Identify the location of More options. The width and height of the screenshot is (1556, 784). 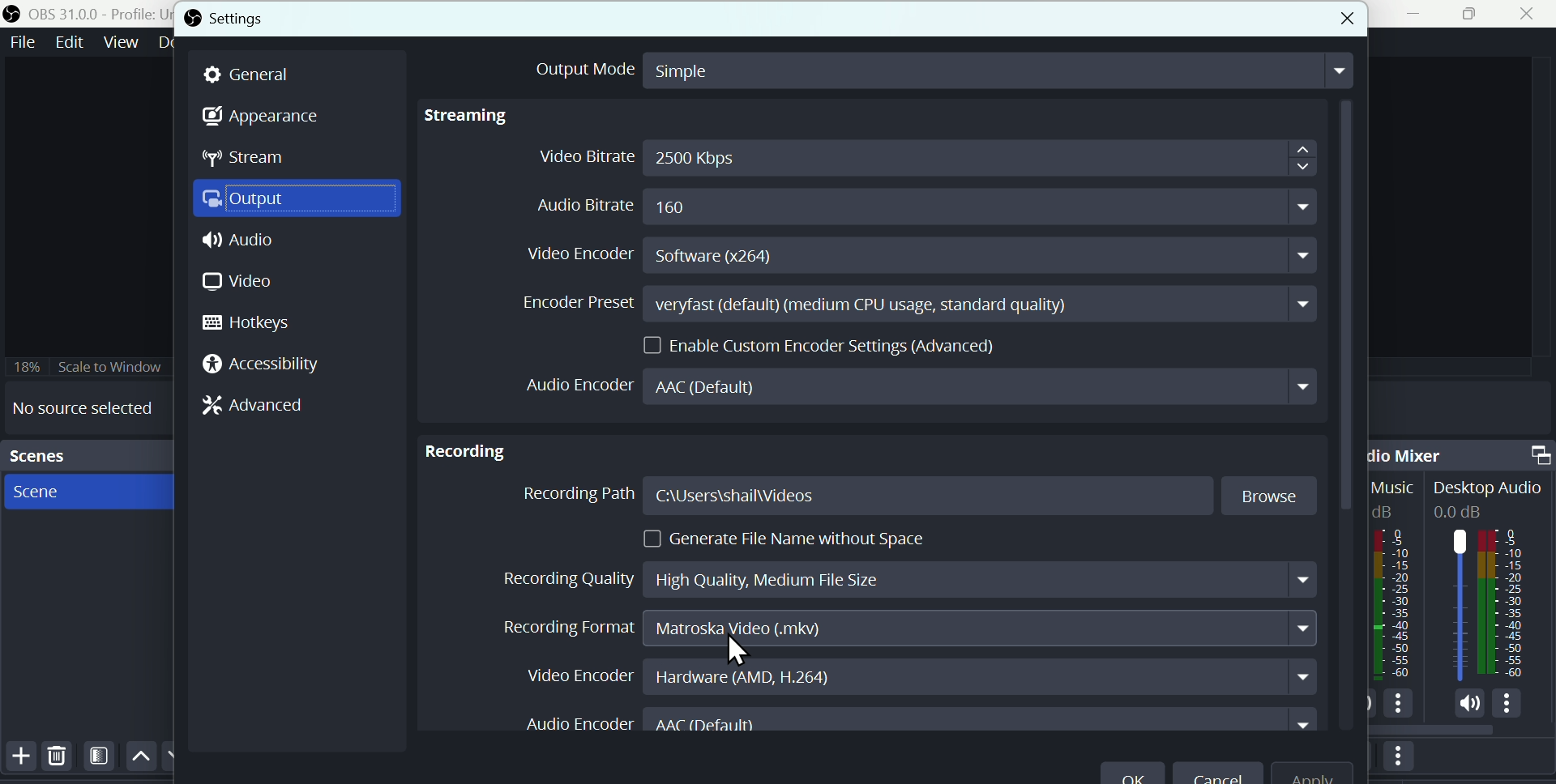
(1404, 762).